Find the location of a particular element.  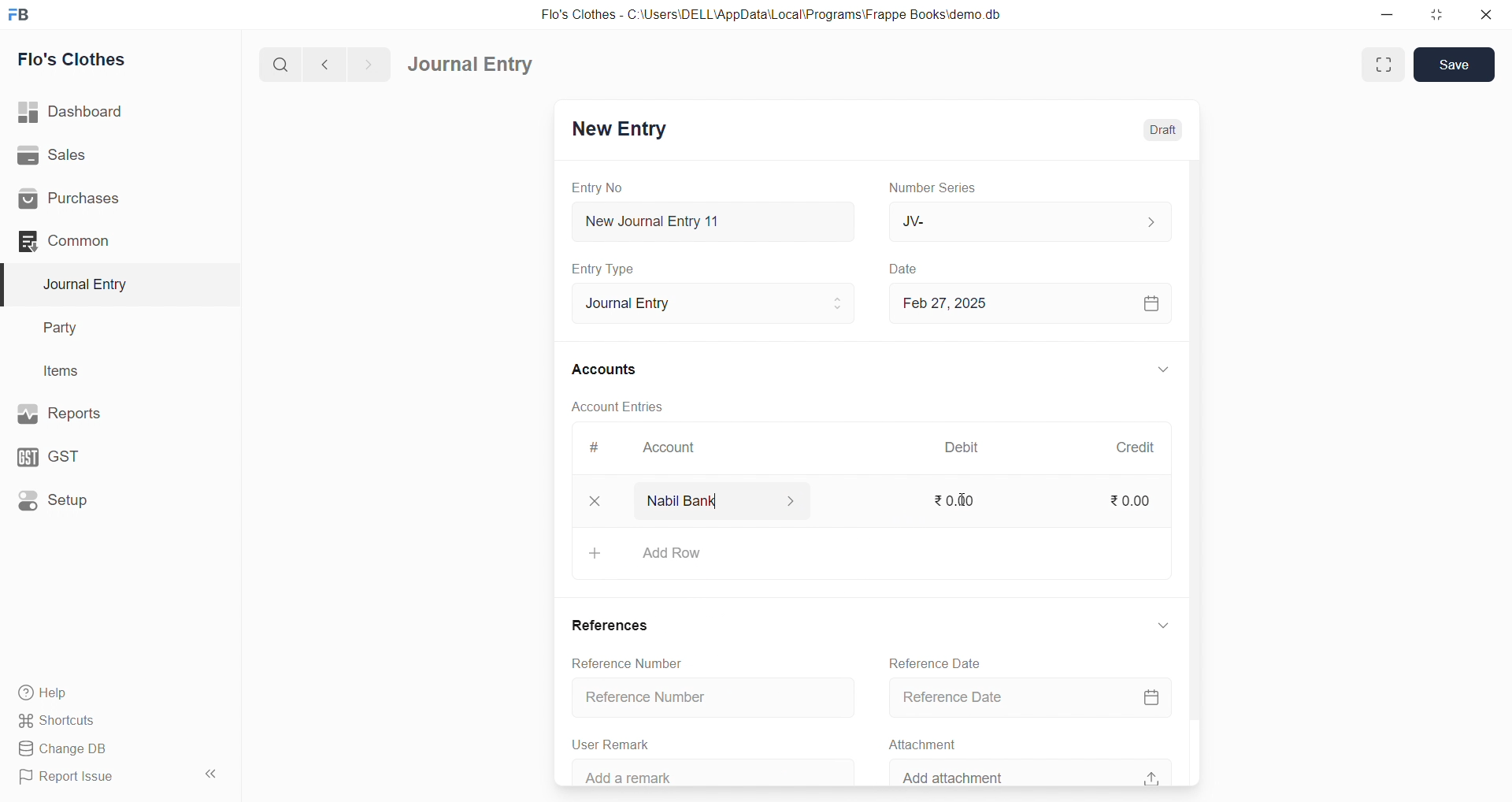

Credit is located at coordinates (1137, 448).